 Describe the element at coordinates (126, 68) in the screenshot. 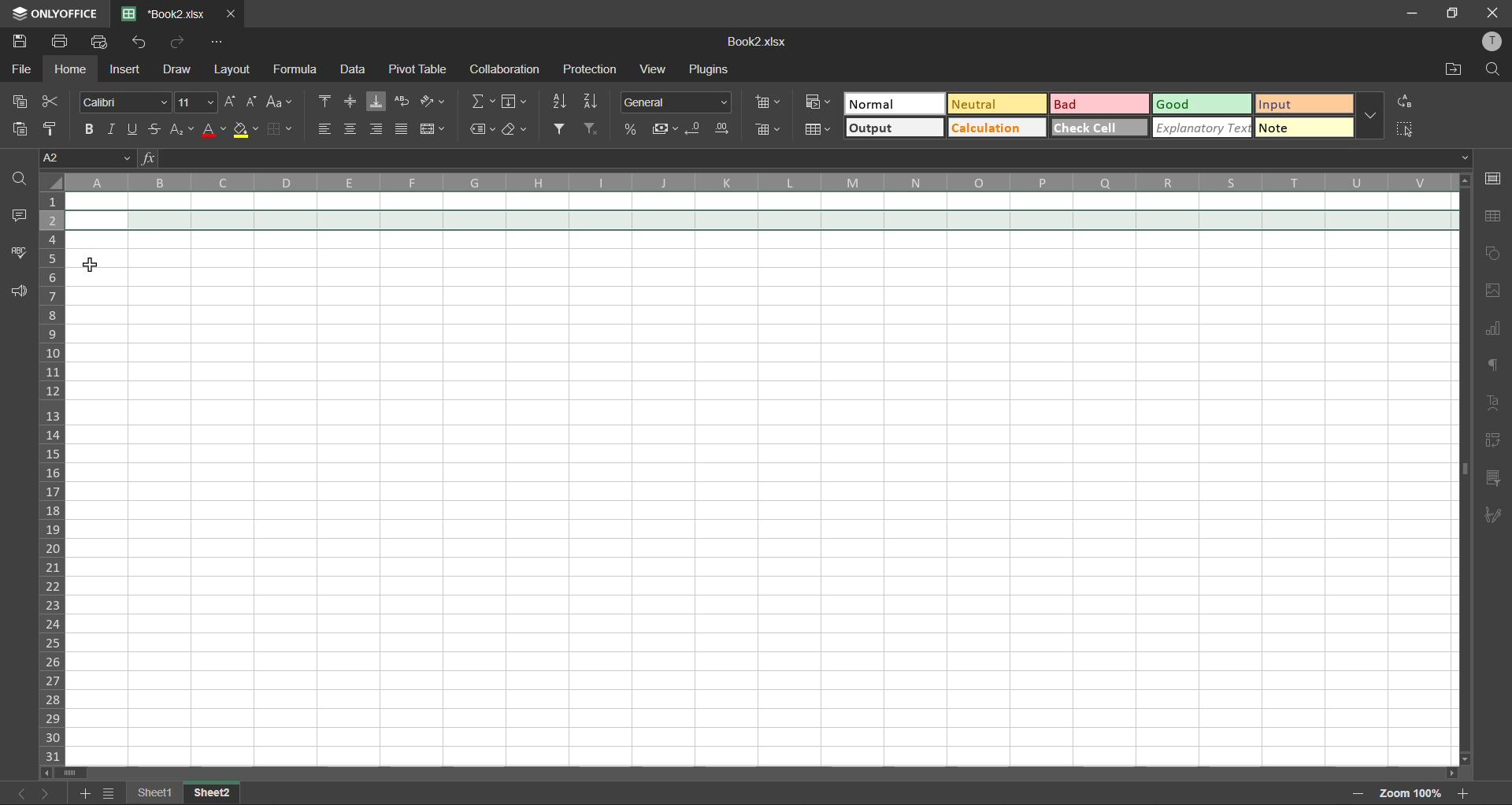

I see `insert` at that location.